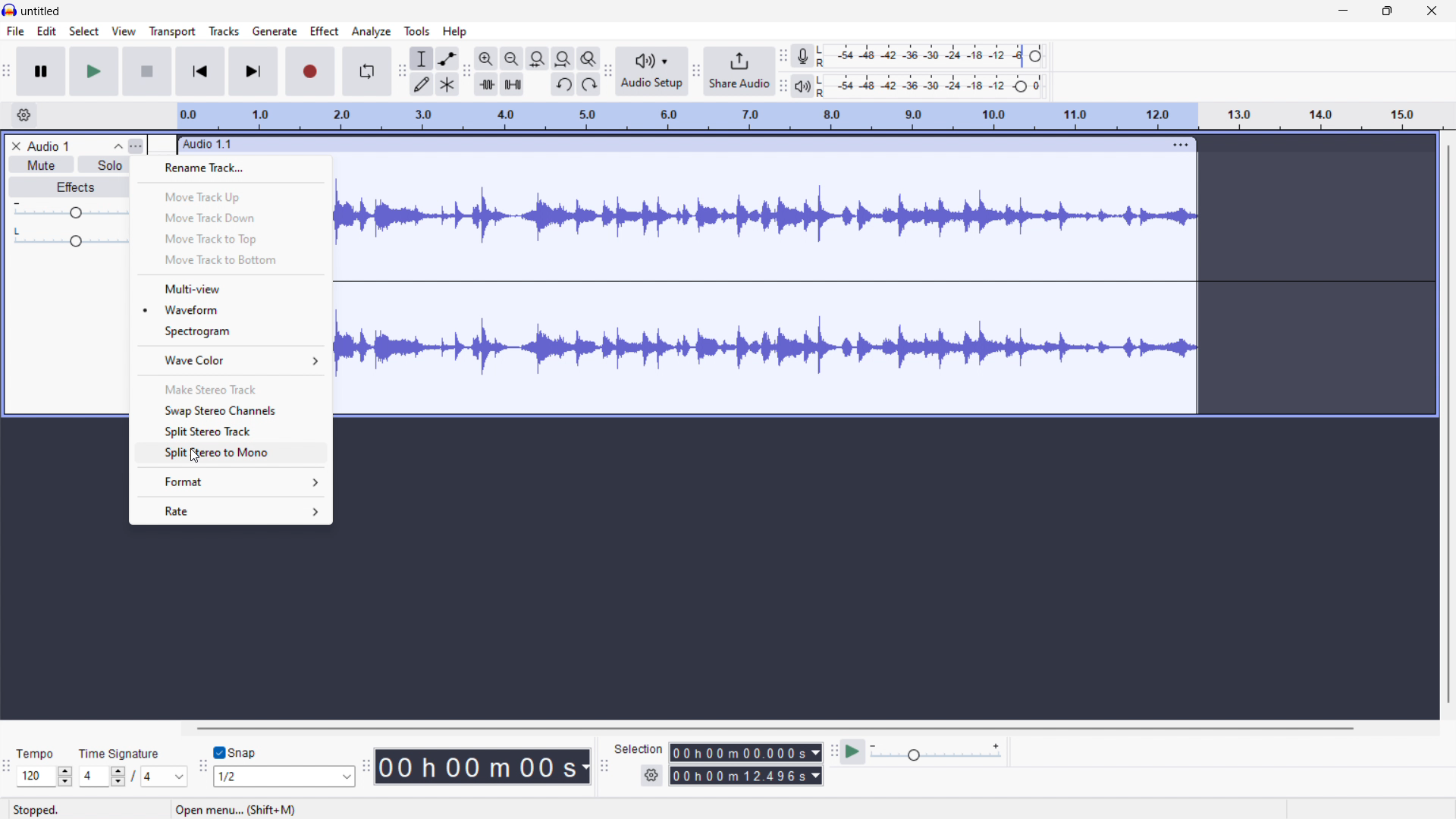 Image resolution: width=1456 pixels, height=819 pixels. What do you see at coordinates (663, 145) in the screenshot?
I see `Audio 1.1` at bounding box center [663, 145].